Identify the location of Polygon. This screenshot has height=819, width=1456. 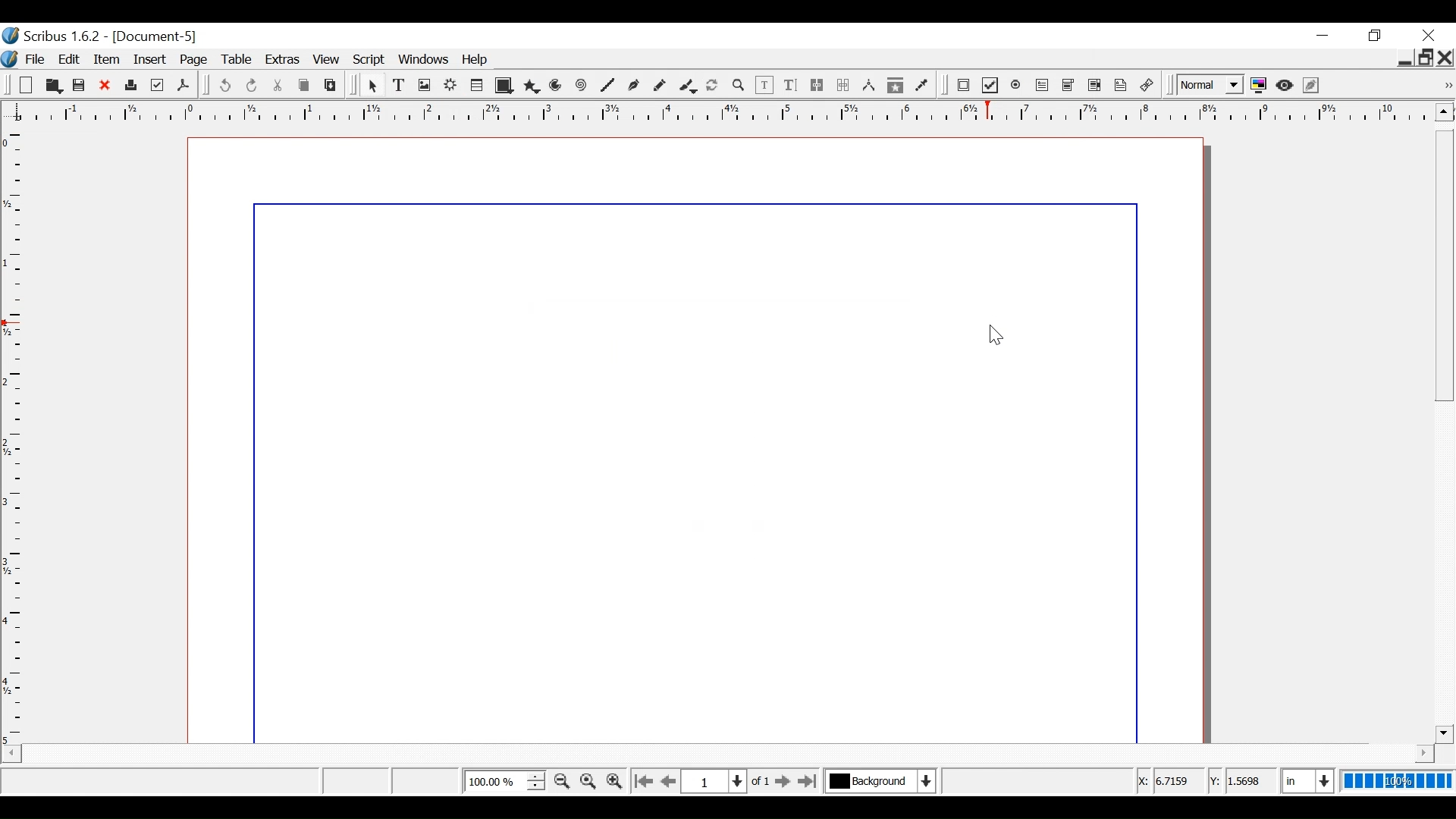
(531, 86).